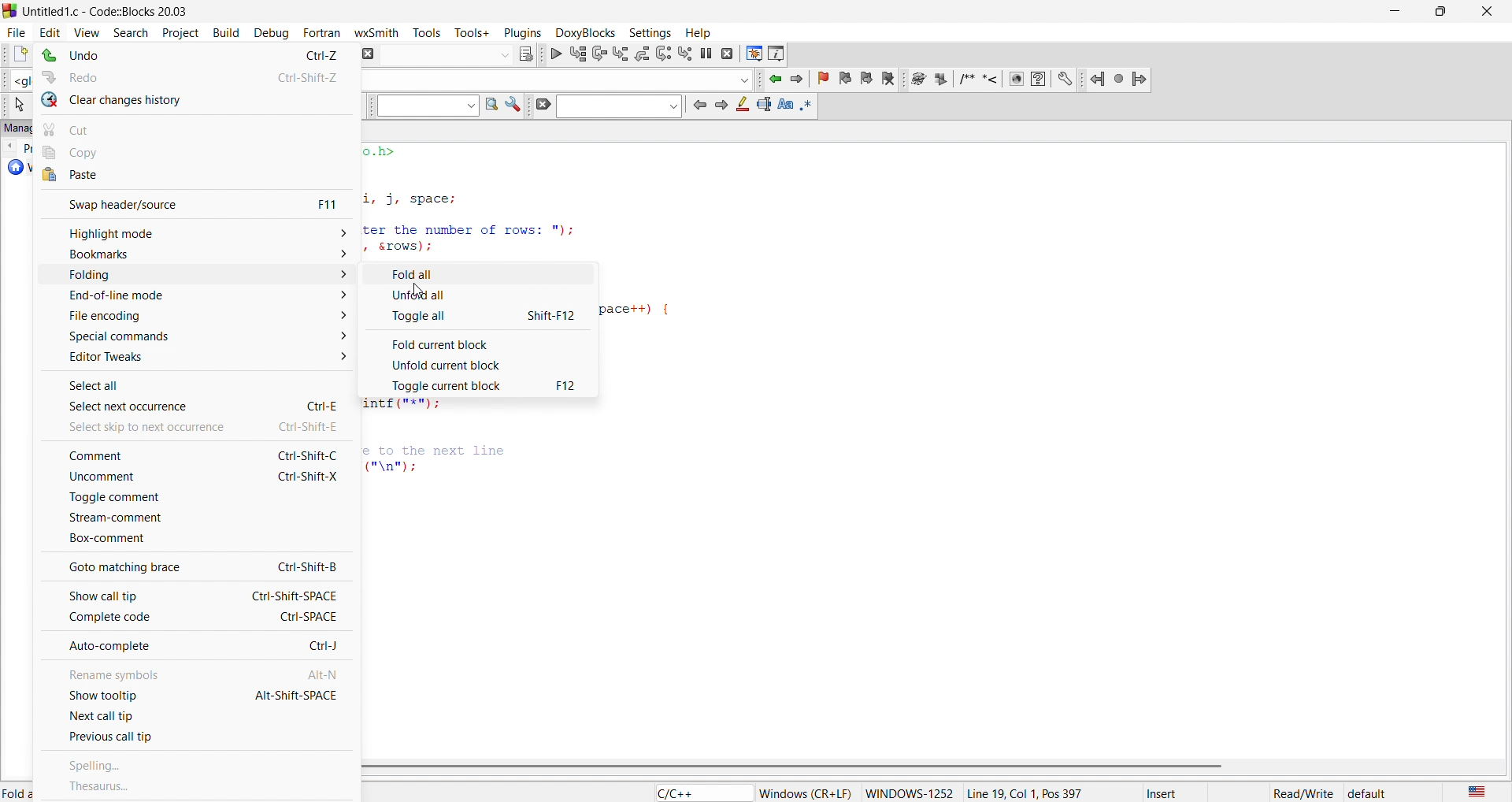 The width and height of the screenshot is (1512, 802). I want to click on spelling , so click(198, 767).